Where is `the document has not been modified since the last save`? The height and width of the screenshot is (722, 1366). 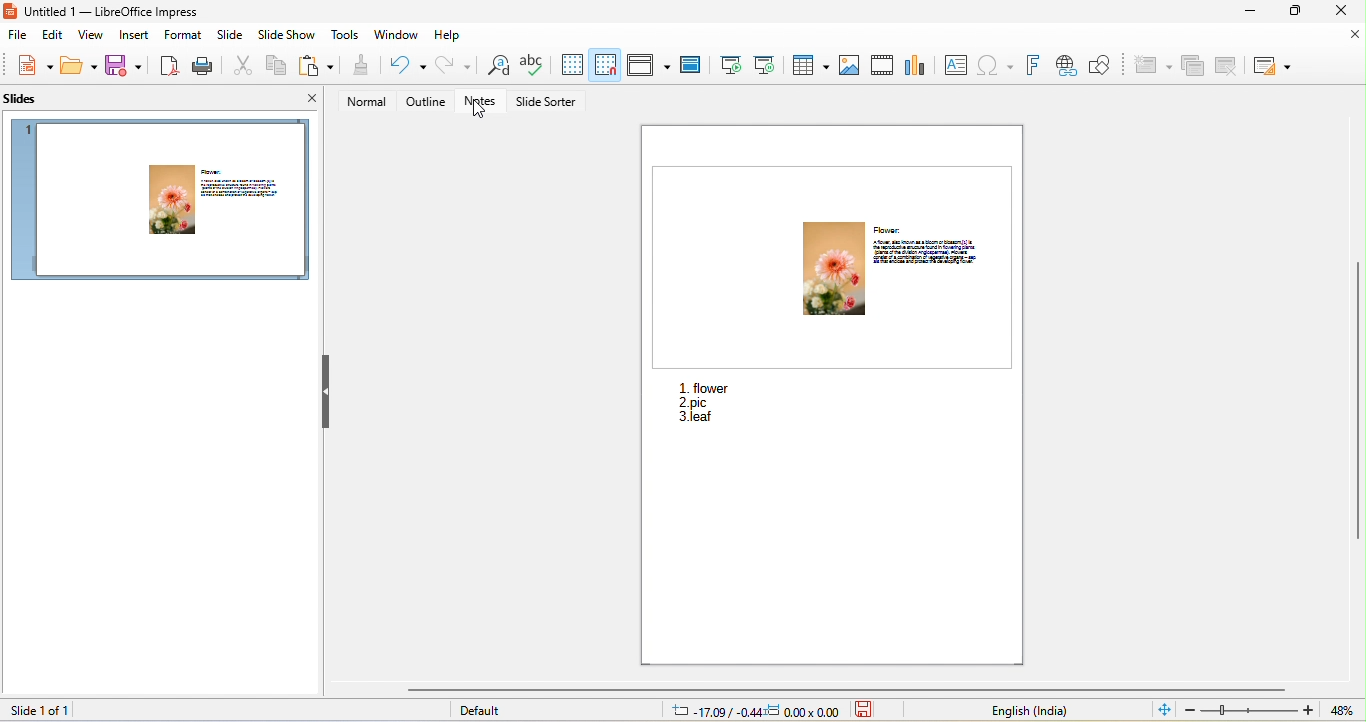
the document has not been modified since the last save is located at coordinates (868, 710).